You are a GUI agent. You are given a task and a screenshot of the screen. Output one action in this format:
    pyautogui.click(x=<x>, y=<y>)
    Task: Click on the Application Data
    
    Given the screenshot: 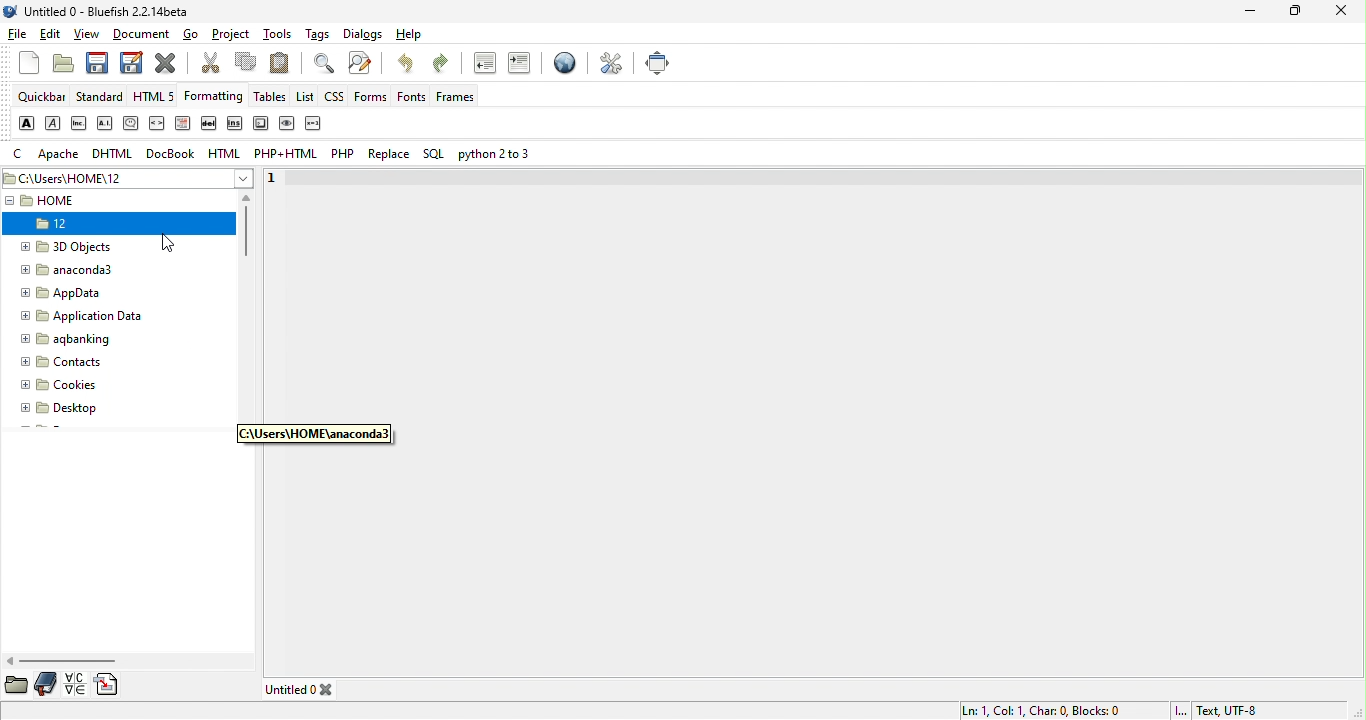 What is the action you would take?
    pyautogui.click(x=80, y=319)
    